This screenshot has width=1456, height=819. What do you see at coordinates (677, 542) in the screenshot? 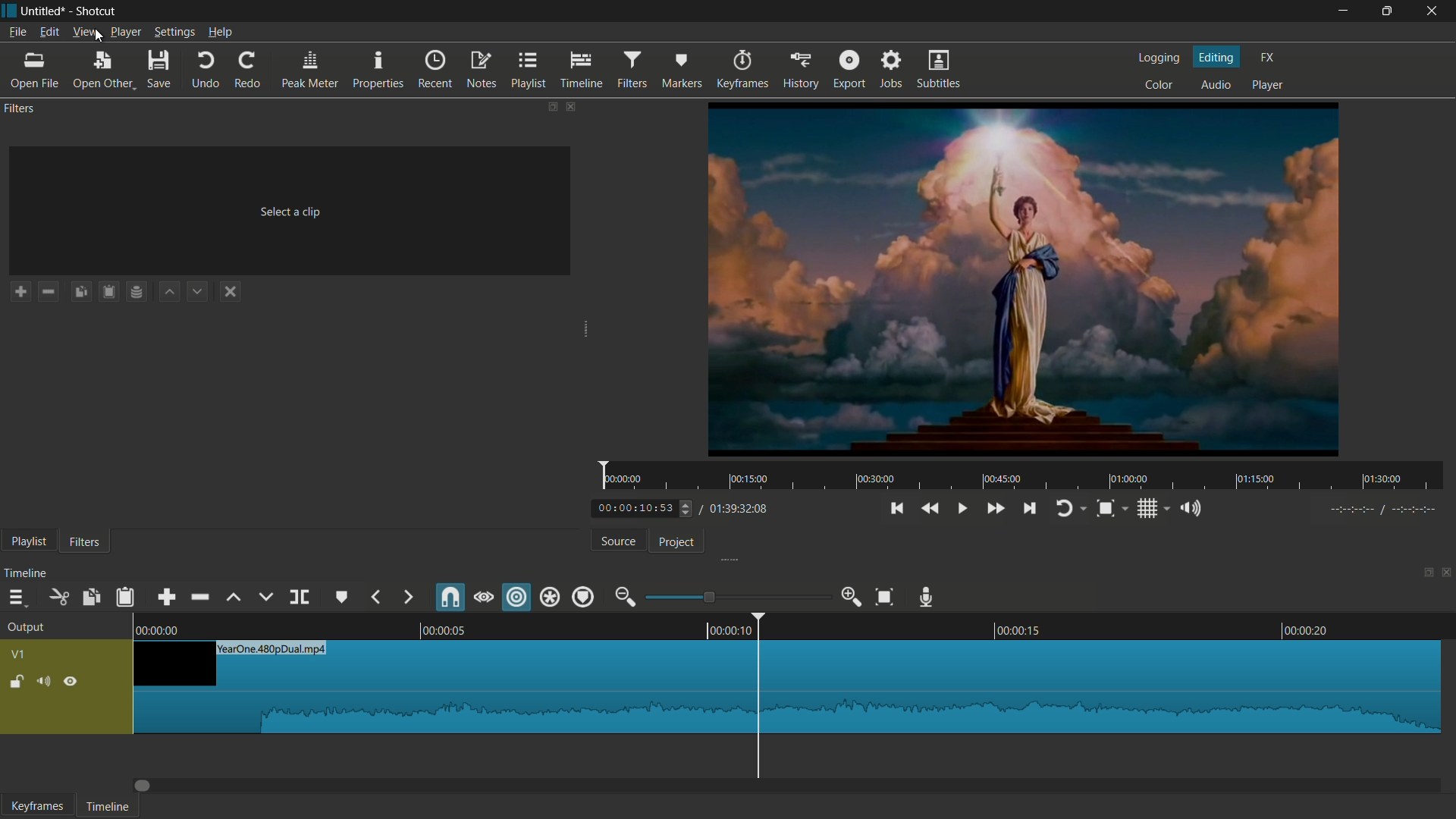
I see `project` at bounding box center [677, 542].